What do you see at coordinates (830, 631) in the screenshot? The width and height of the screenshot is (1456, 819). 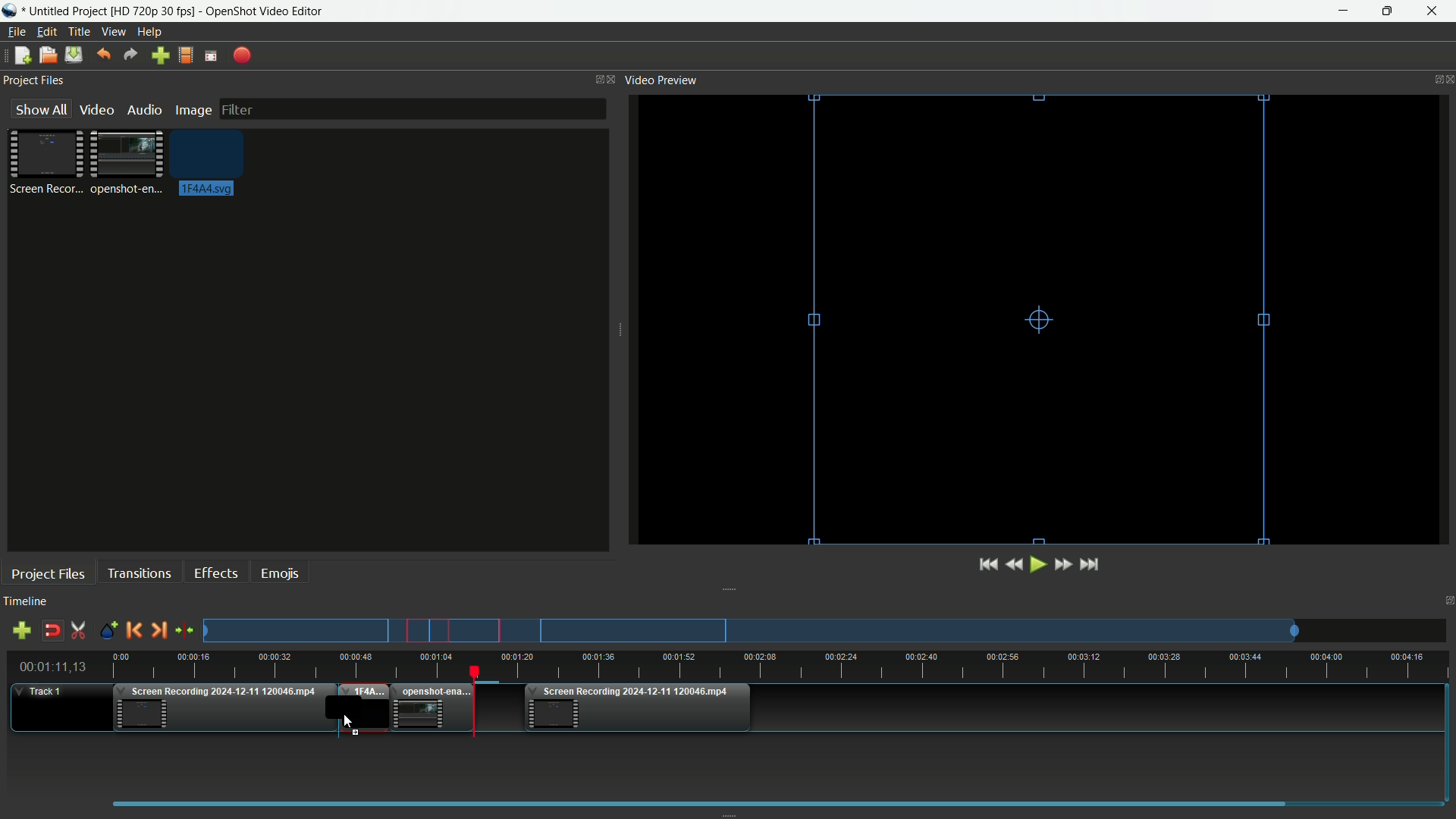 I see `Preview track one` at bounding box center [830, 631].